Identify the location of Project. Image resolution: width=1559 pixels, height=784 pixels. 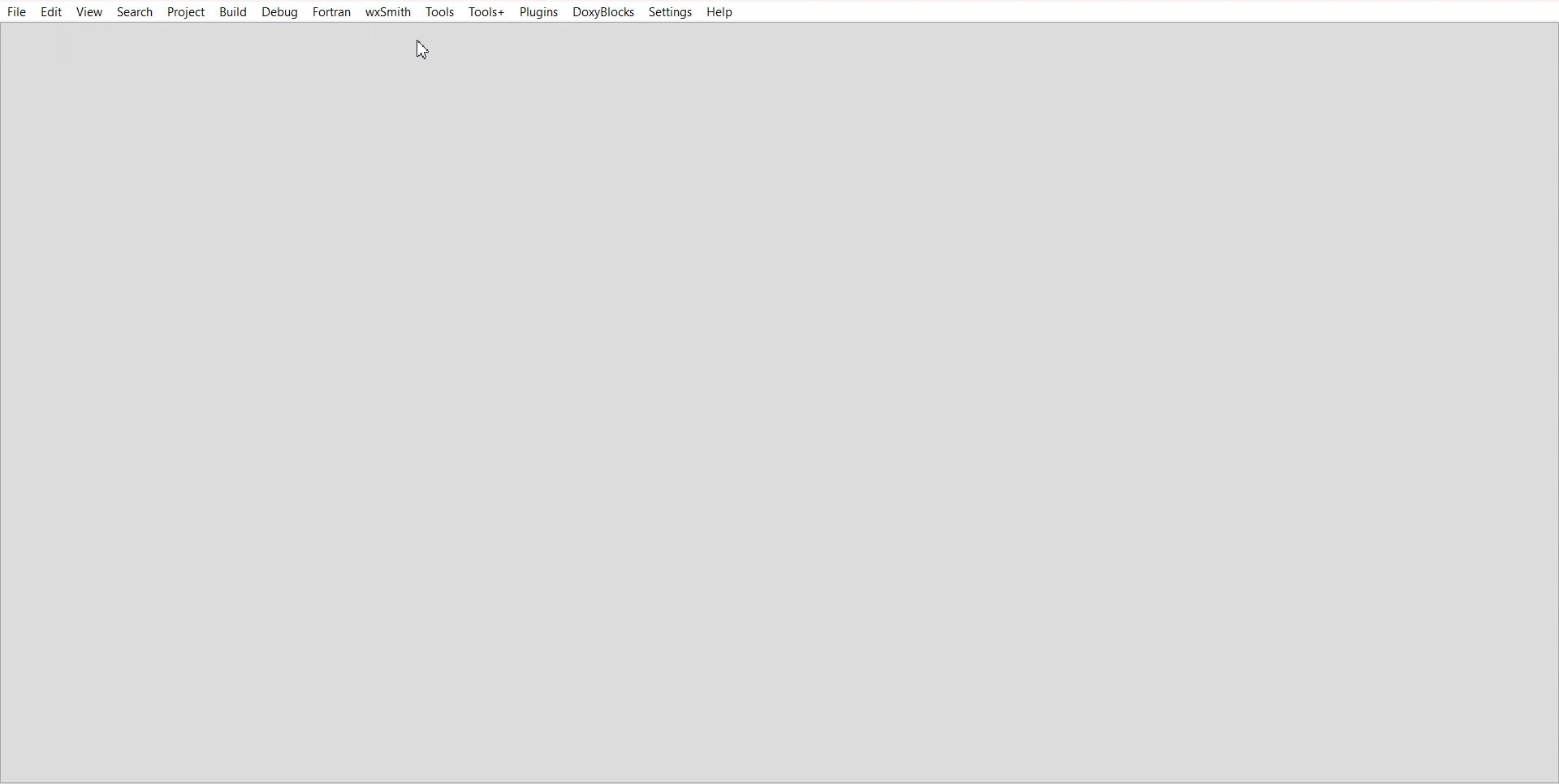
(187, 13).